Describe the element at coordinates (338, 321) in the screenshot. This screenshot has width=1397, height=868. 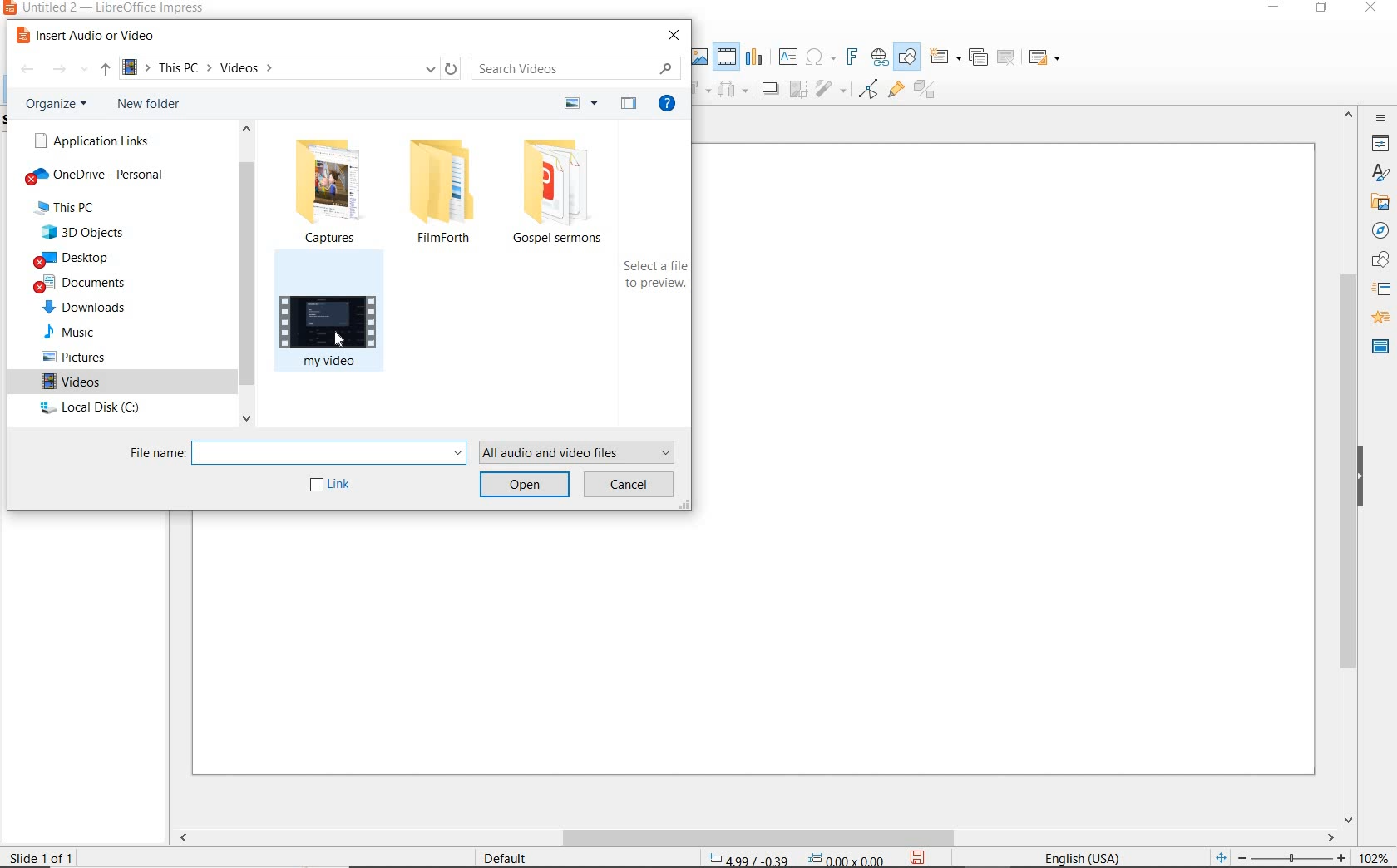
I see `my video file` at that location.